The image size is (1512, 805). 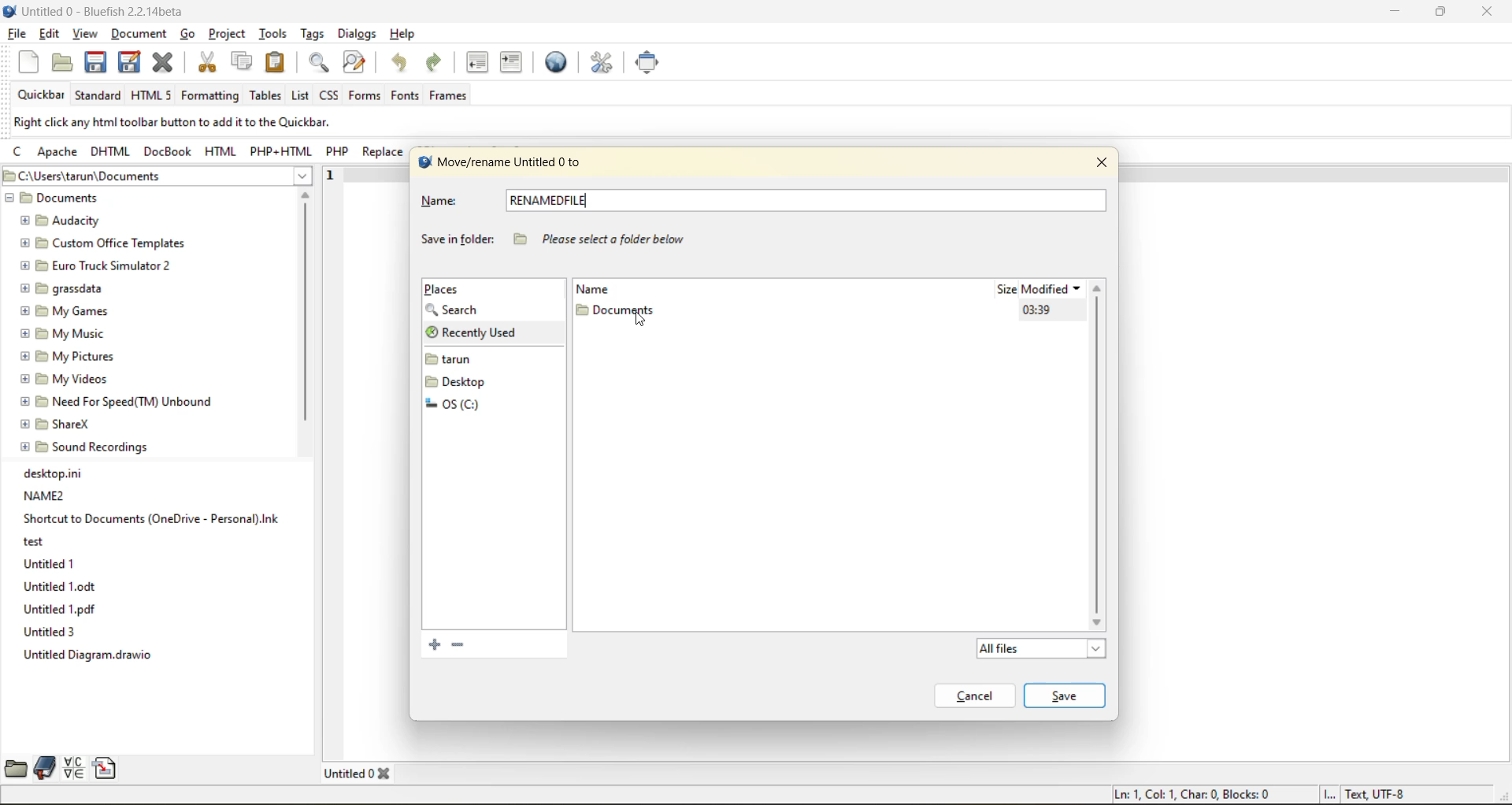 I want to click on go, so click(x=188, y=34).